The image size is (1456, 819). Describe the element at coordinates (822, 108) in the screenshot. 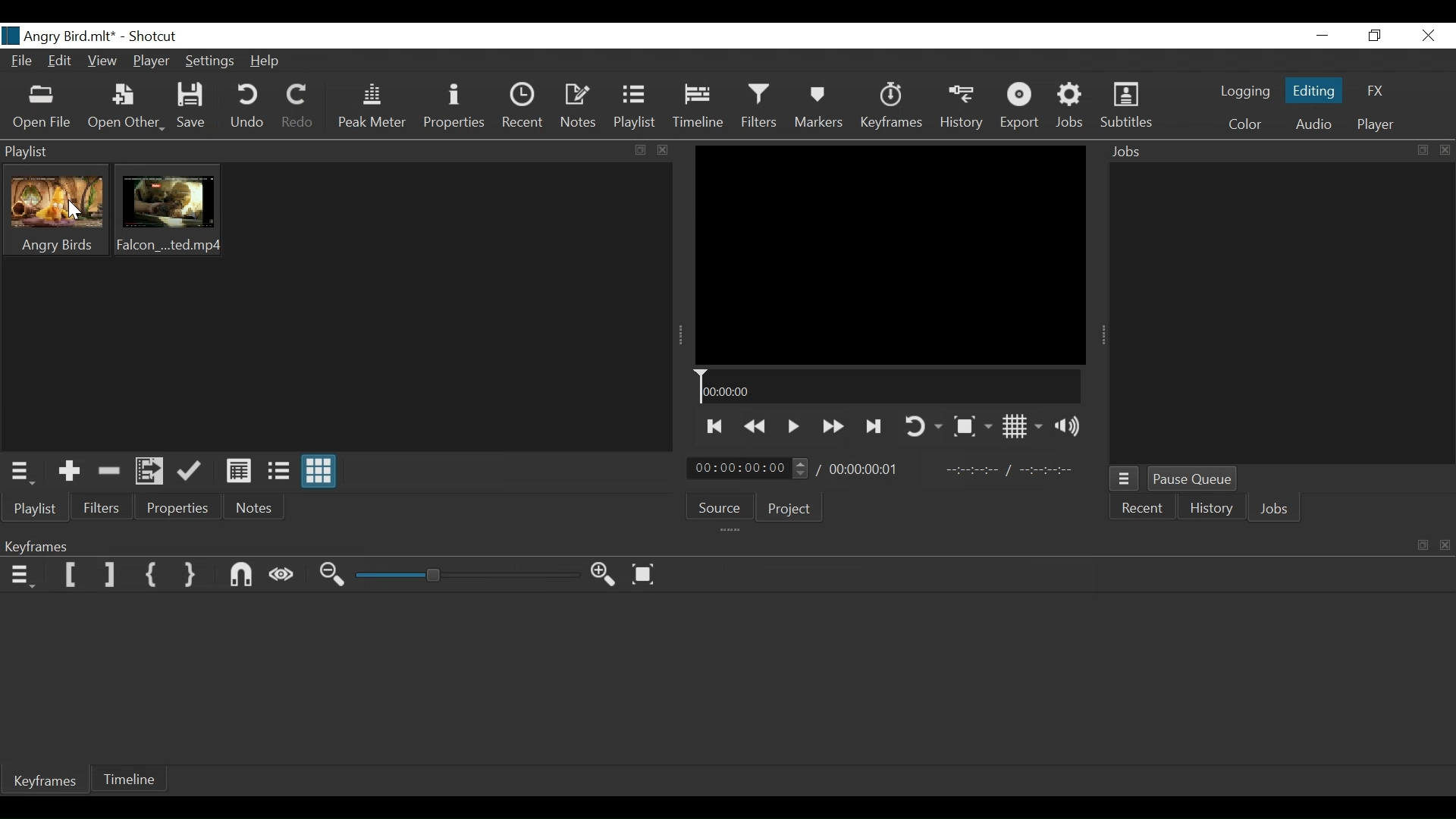

I see `Marker` at that location.